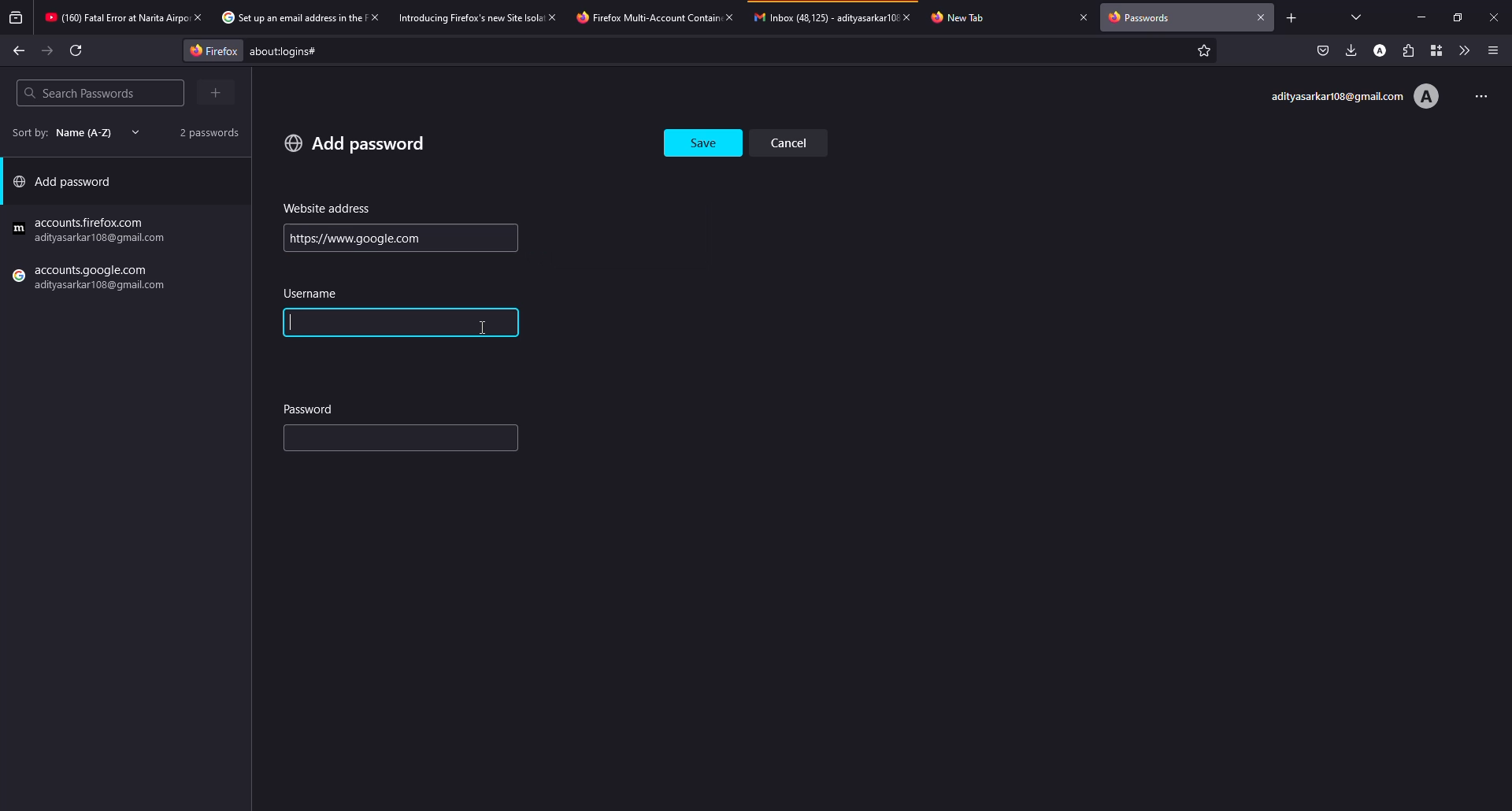 The height and width of the screenshot is (811, 1512). Describe the element at coordinates (347, 323) in the screenshot. I see `type` at that location.